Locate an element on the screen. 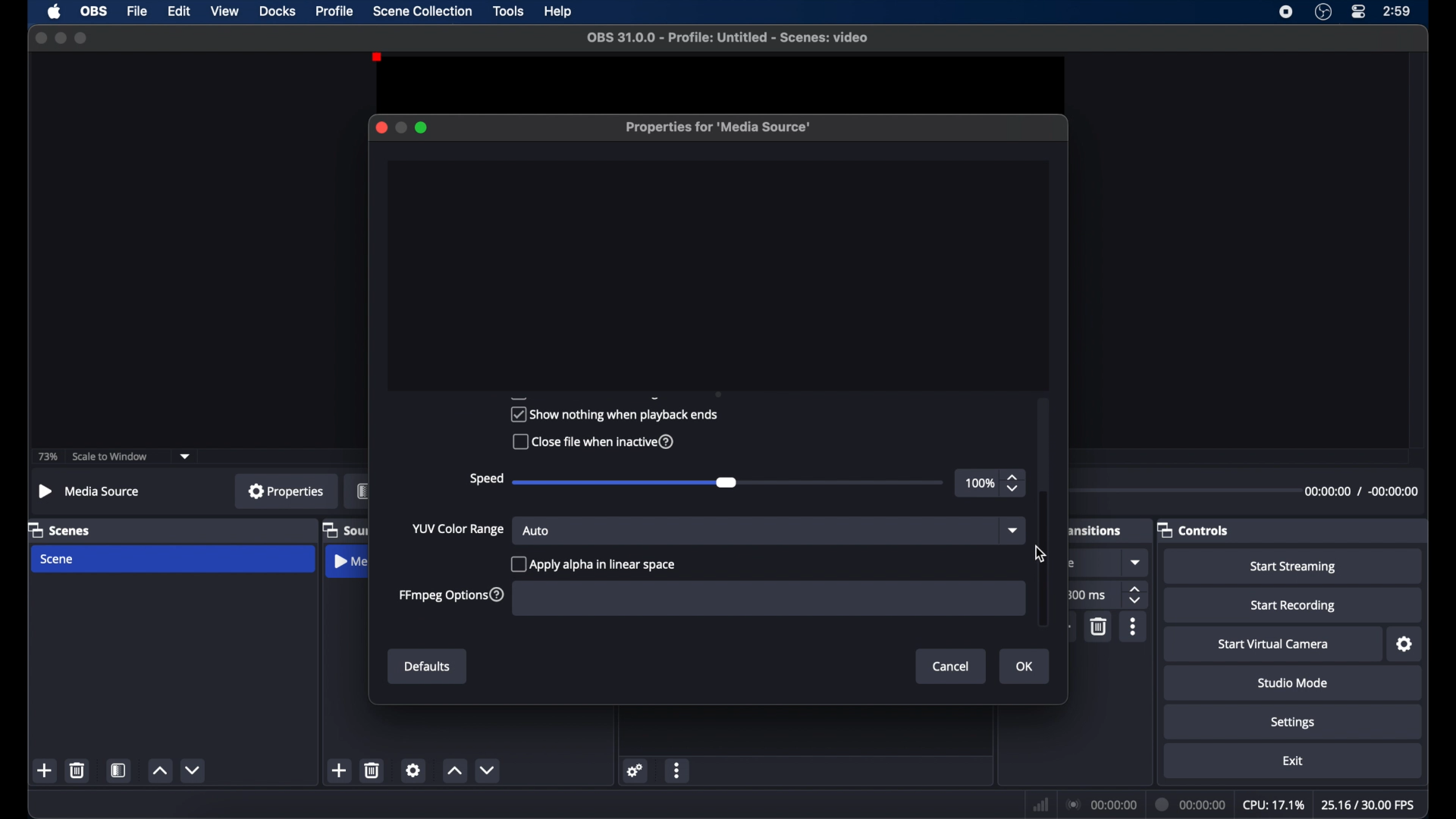  close is located at coordinates (40, 38).